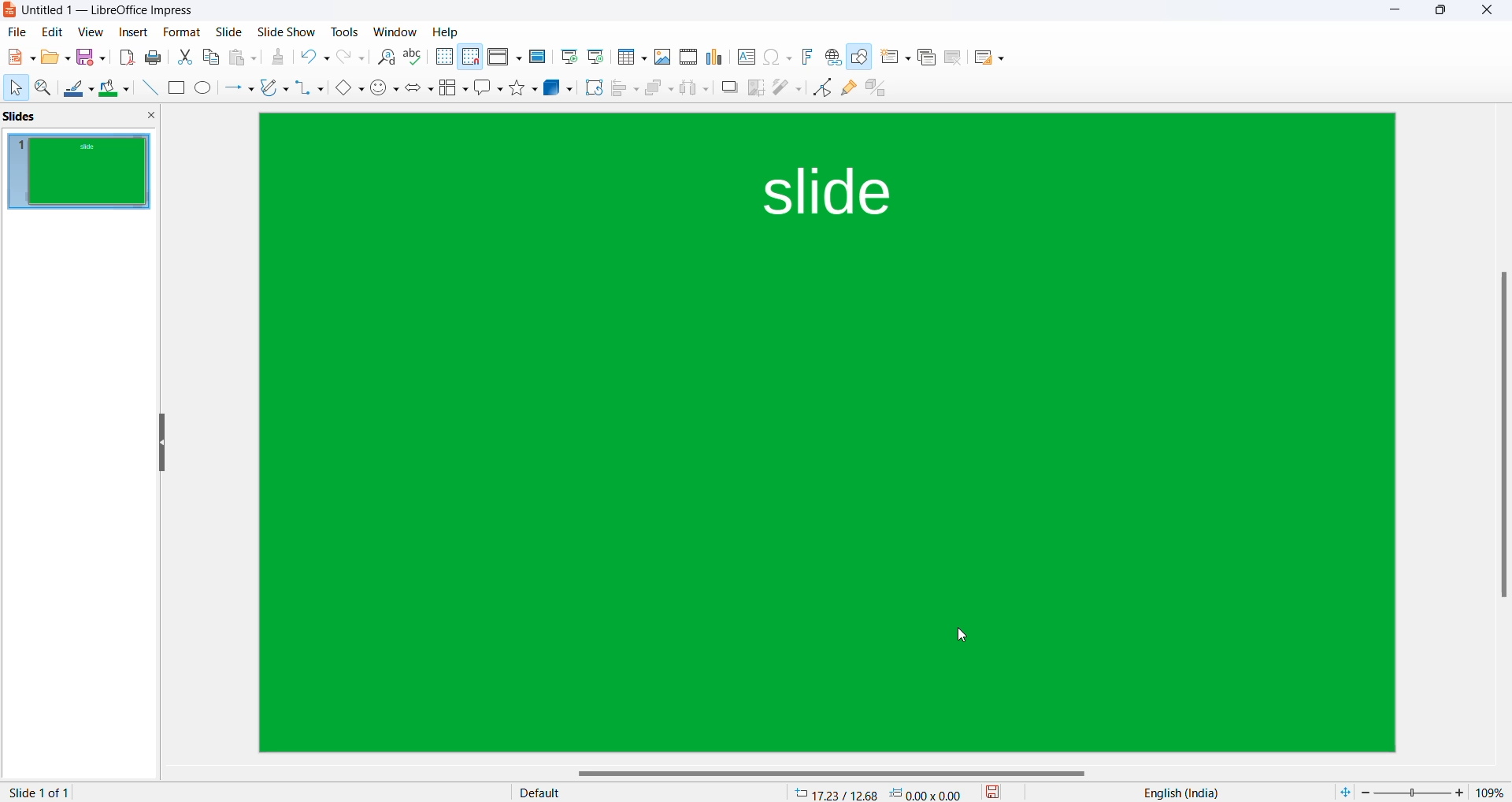 The width and height of the screenshot is (1512, 802). What do you see at coordinates (275, 89) in the screenshot?
I see `curve and polygons` at bounding box center [275, 89].